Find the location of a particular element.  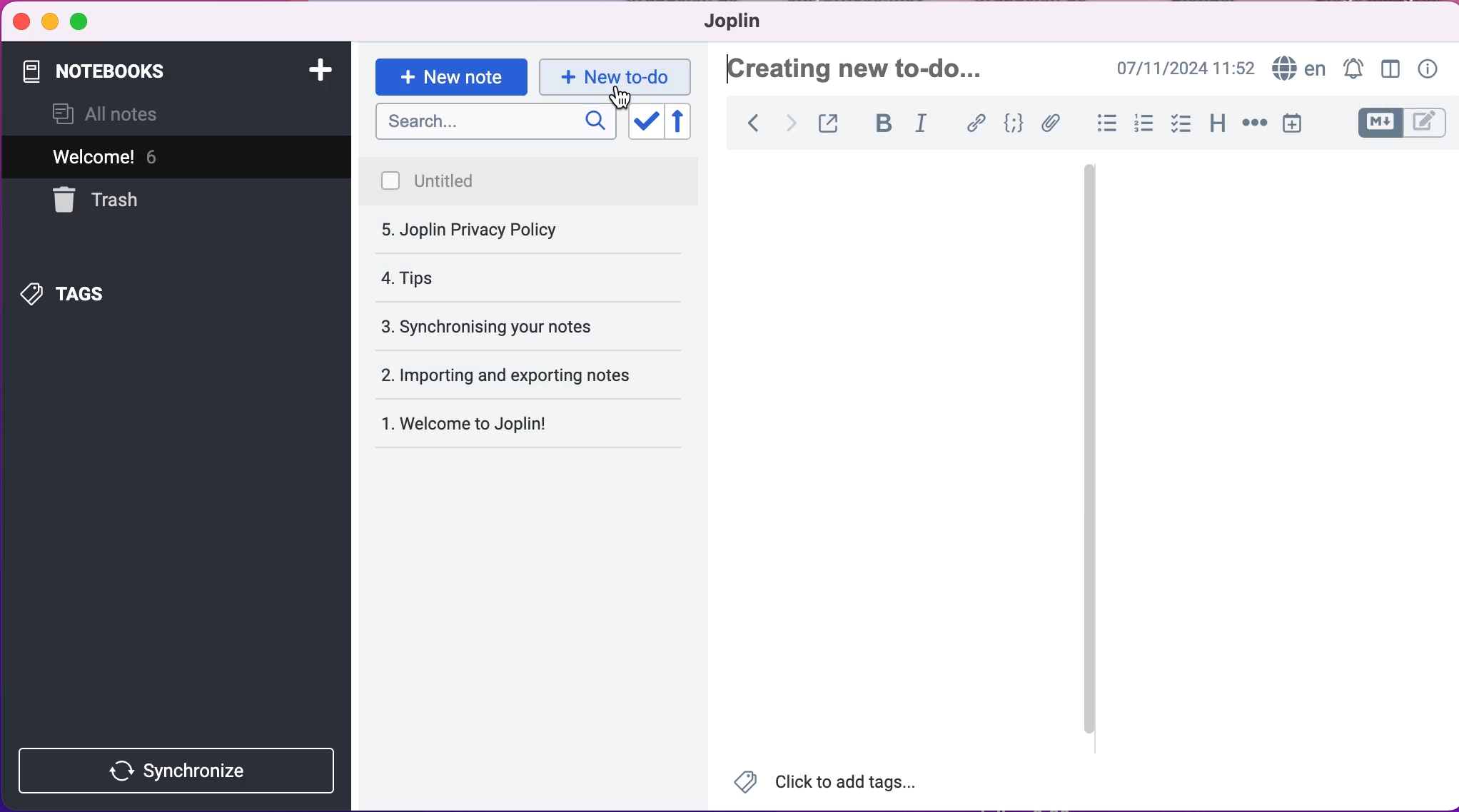

welcome! 5 is located at coordinates (158, 156).